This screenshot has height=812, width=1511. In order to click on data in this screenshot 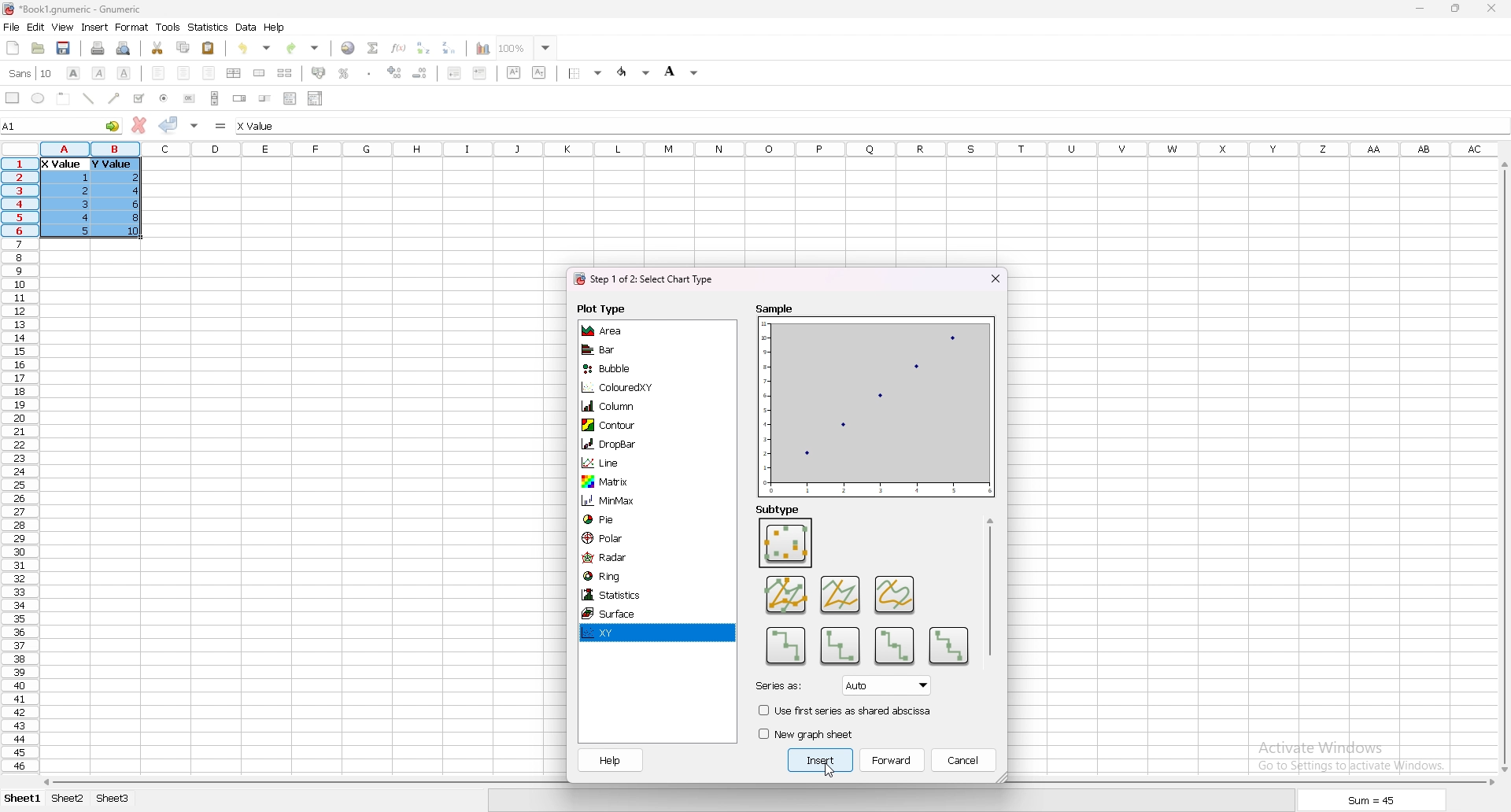, I will do `click(246, 27)`.